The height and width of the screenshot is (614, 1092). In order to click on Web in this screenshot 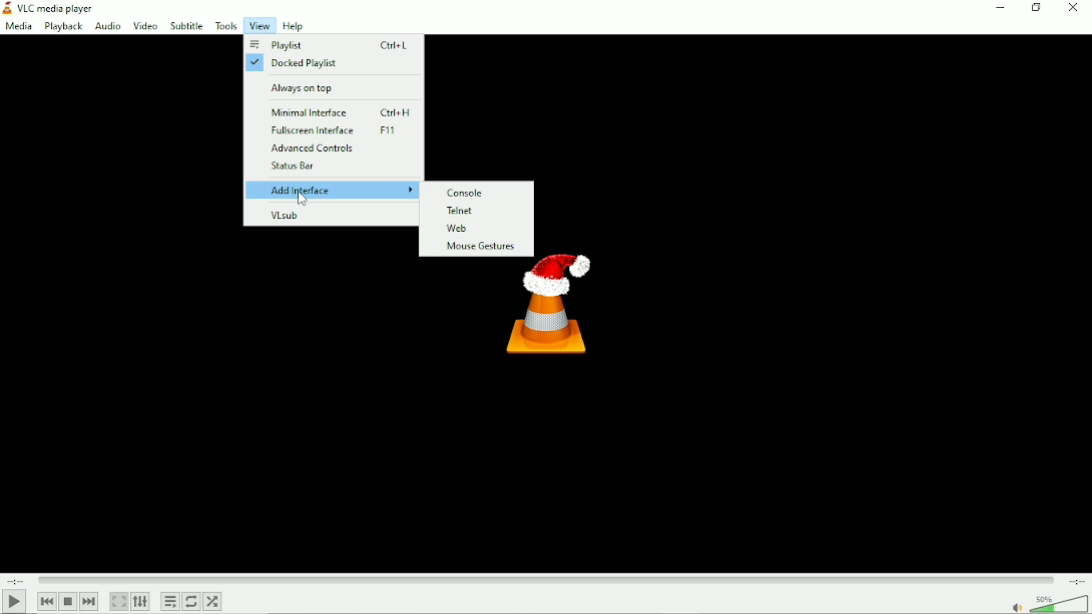, I will do `click(478, 228)`.